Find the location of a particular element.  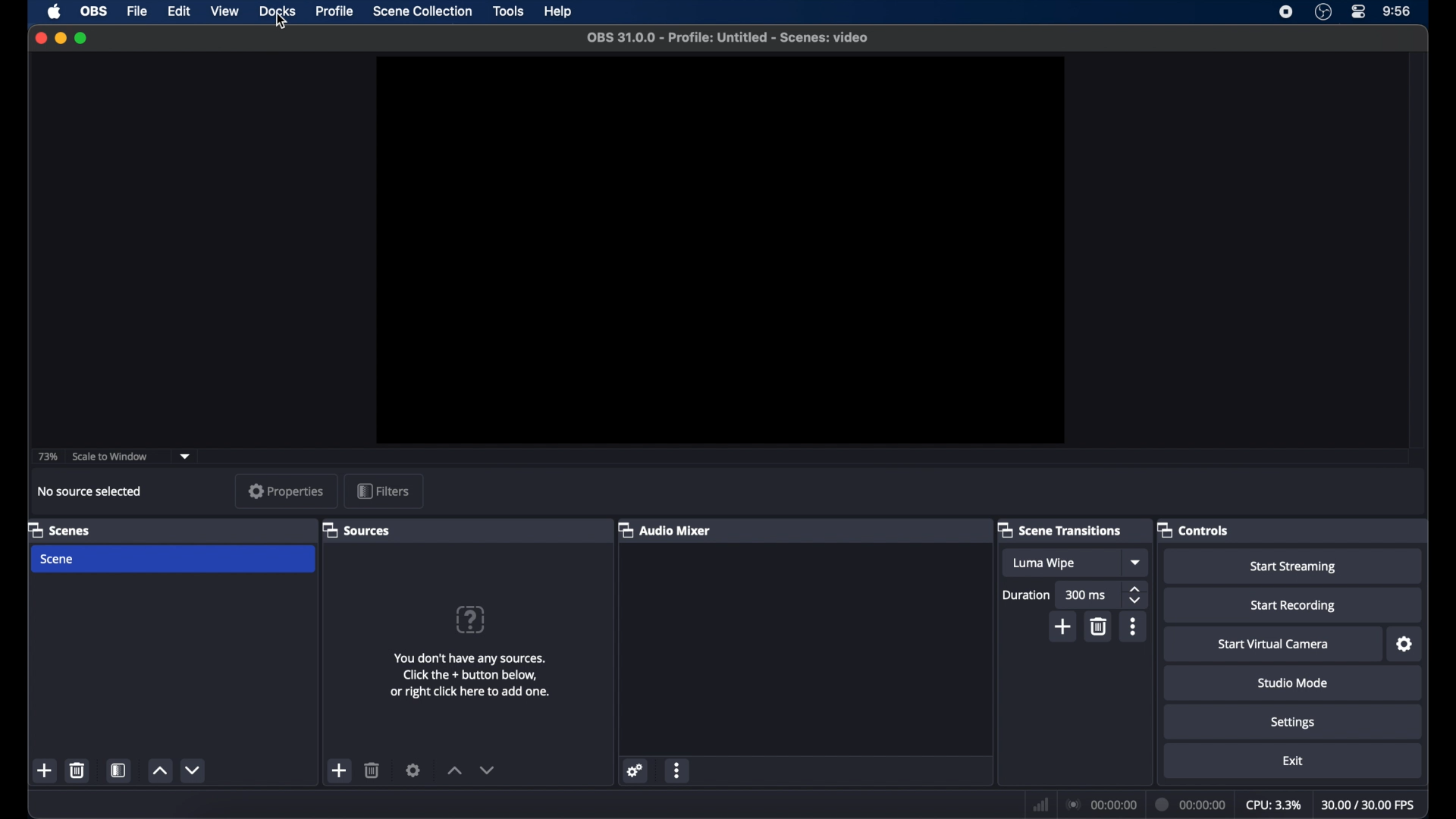

delete is located at coordinates (77, 770).